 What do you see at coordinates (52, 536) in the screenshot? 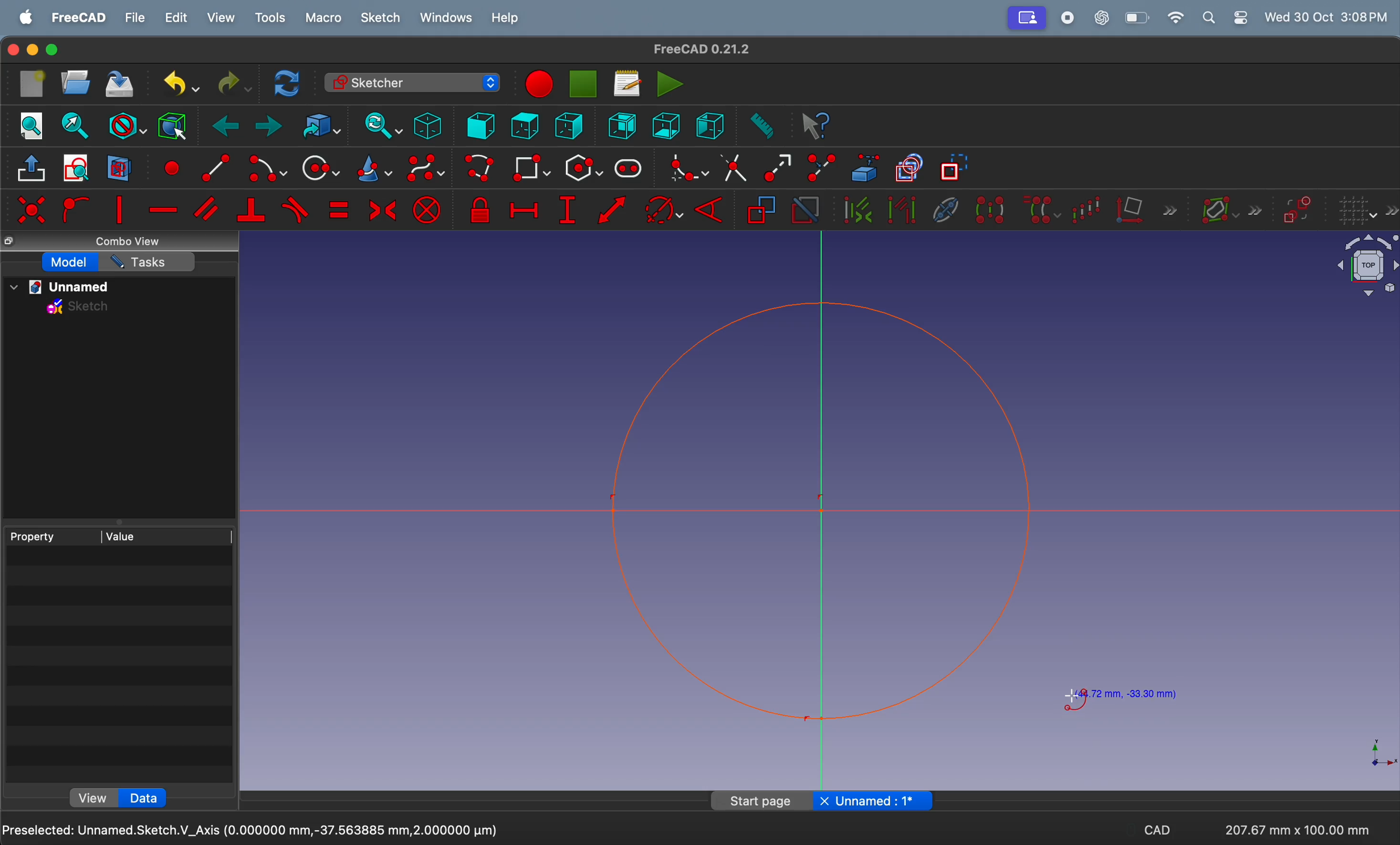
I see `property` at bounding box center [52, 536].